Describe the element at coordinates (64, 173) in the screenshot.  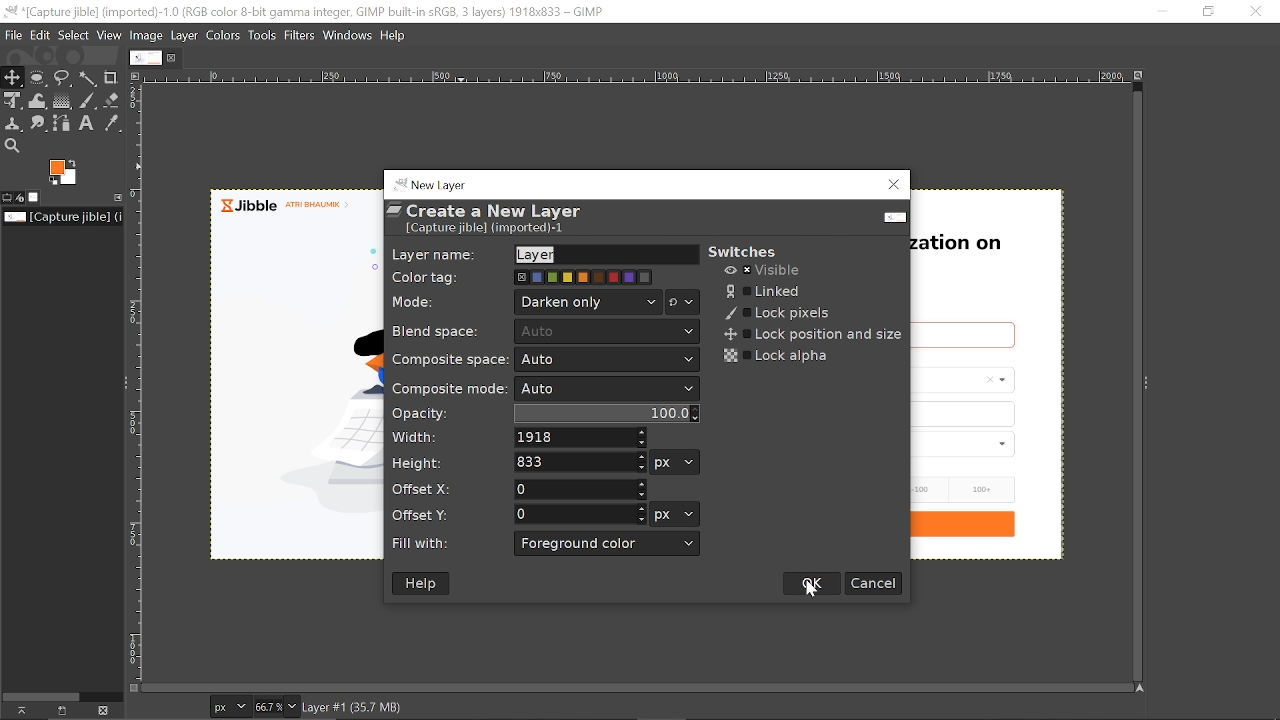
I see `Foreground color` at that location.